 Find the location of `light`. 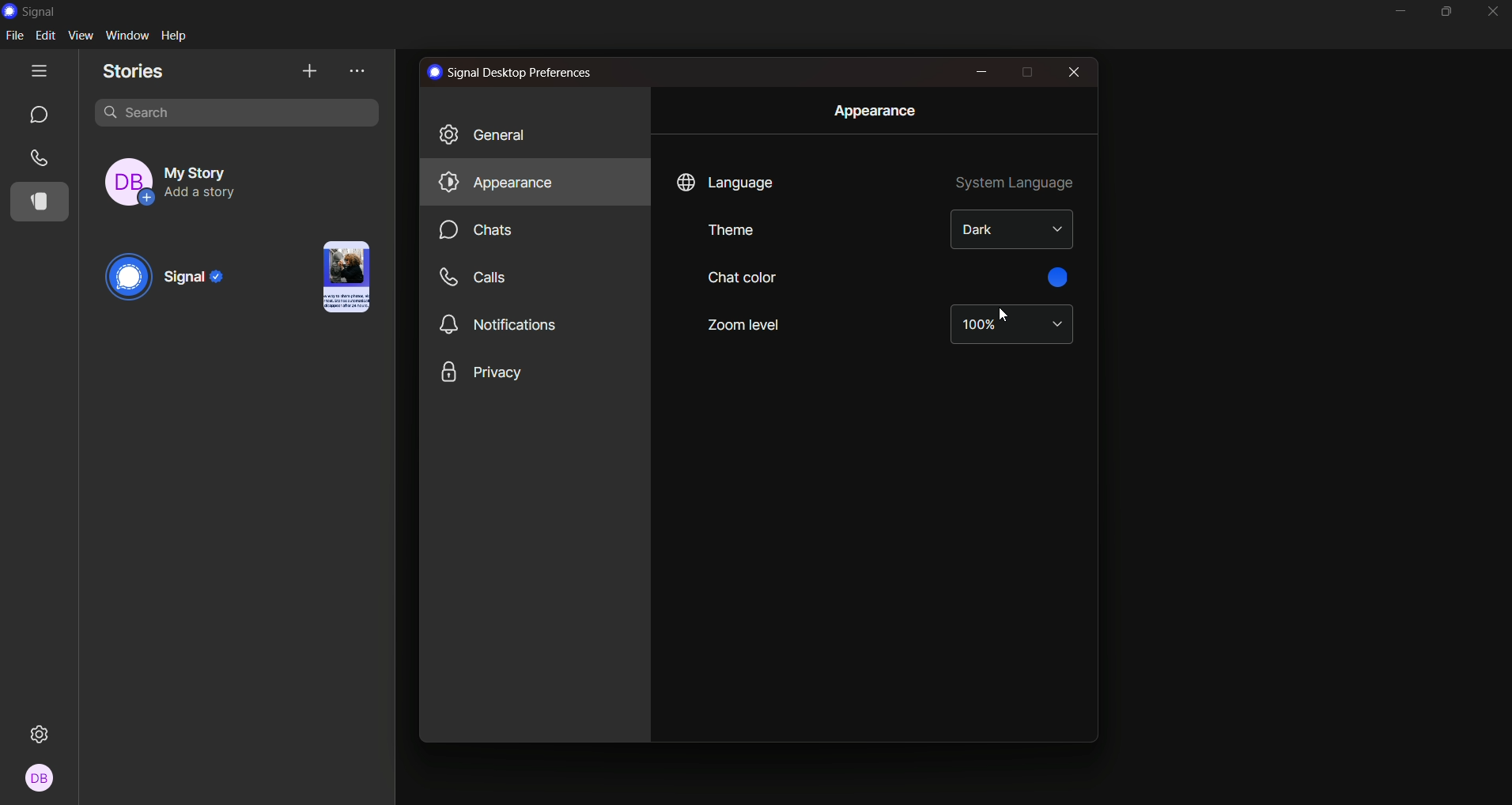

light is located at coordinates (1010, 229).